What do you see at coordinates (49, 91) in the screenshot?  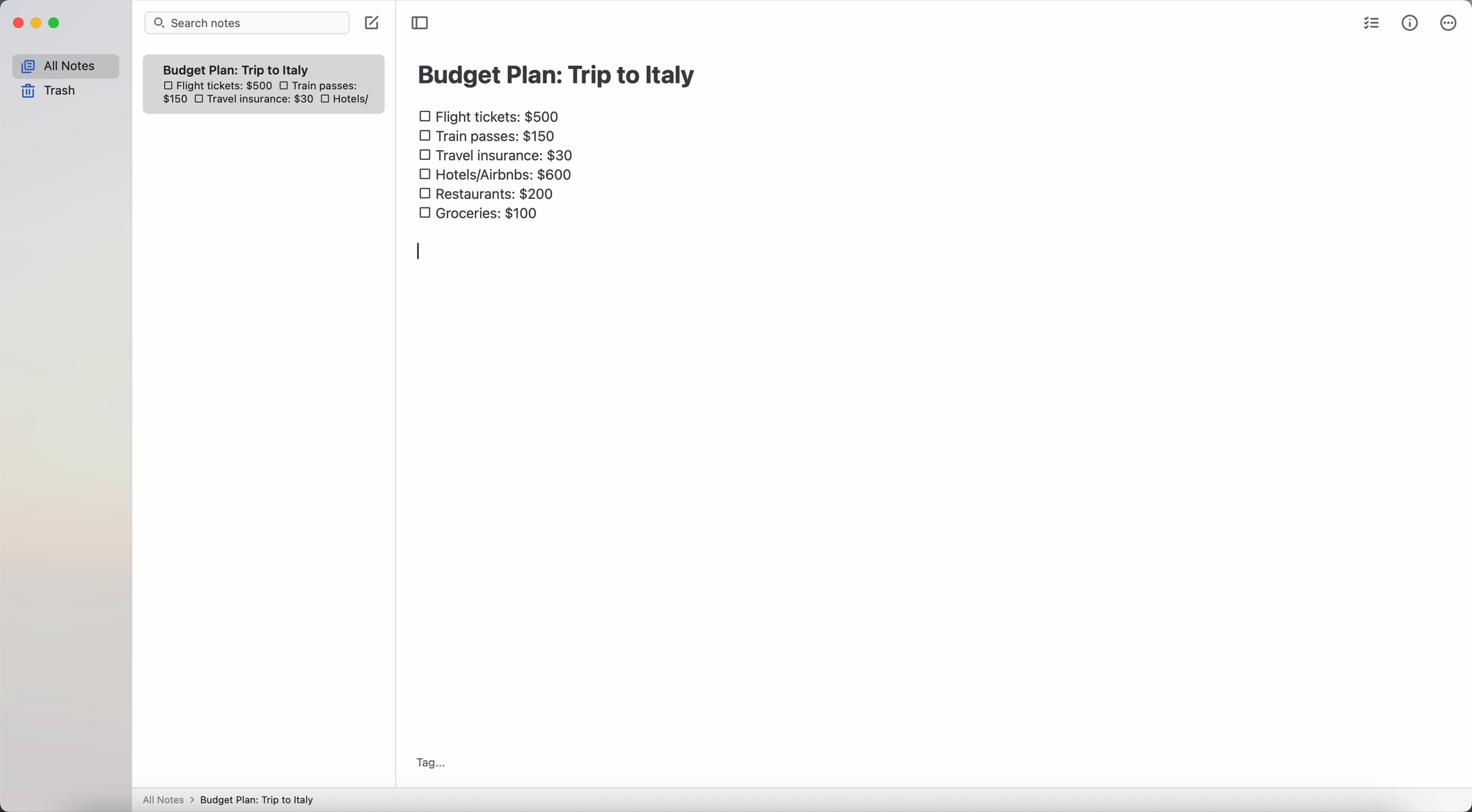 I see `trash` at bounding box center [49, 91].